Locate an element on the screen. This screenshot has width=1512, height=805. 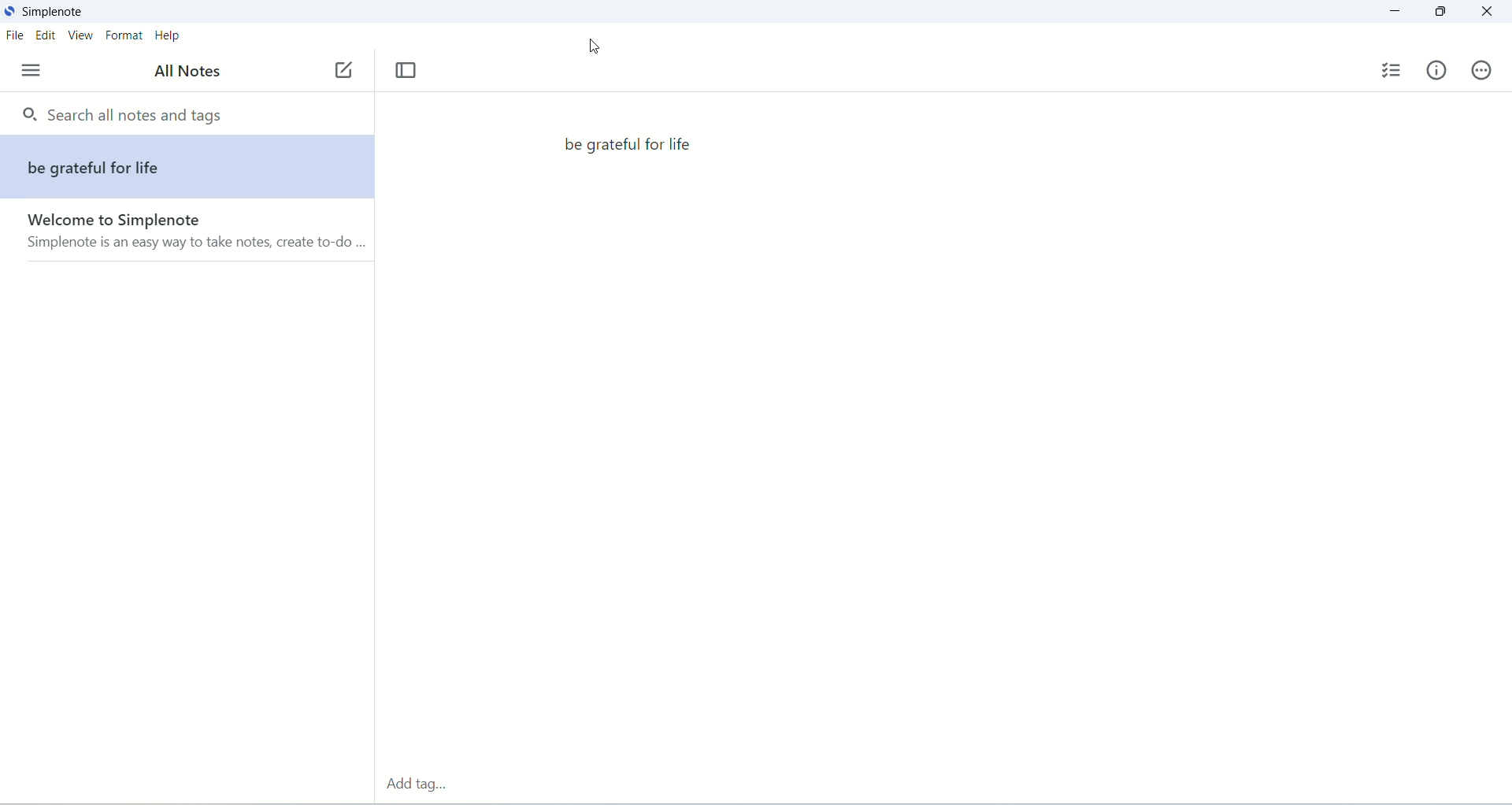
logo is located at coordinates (9, 12).